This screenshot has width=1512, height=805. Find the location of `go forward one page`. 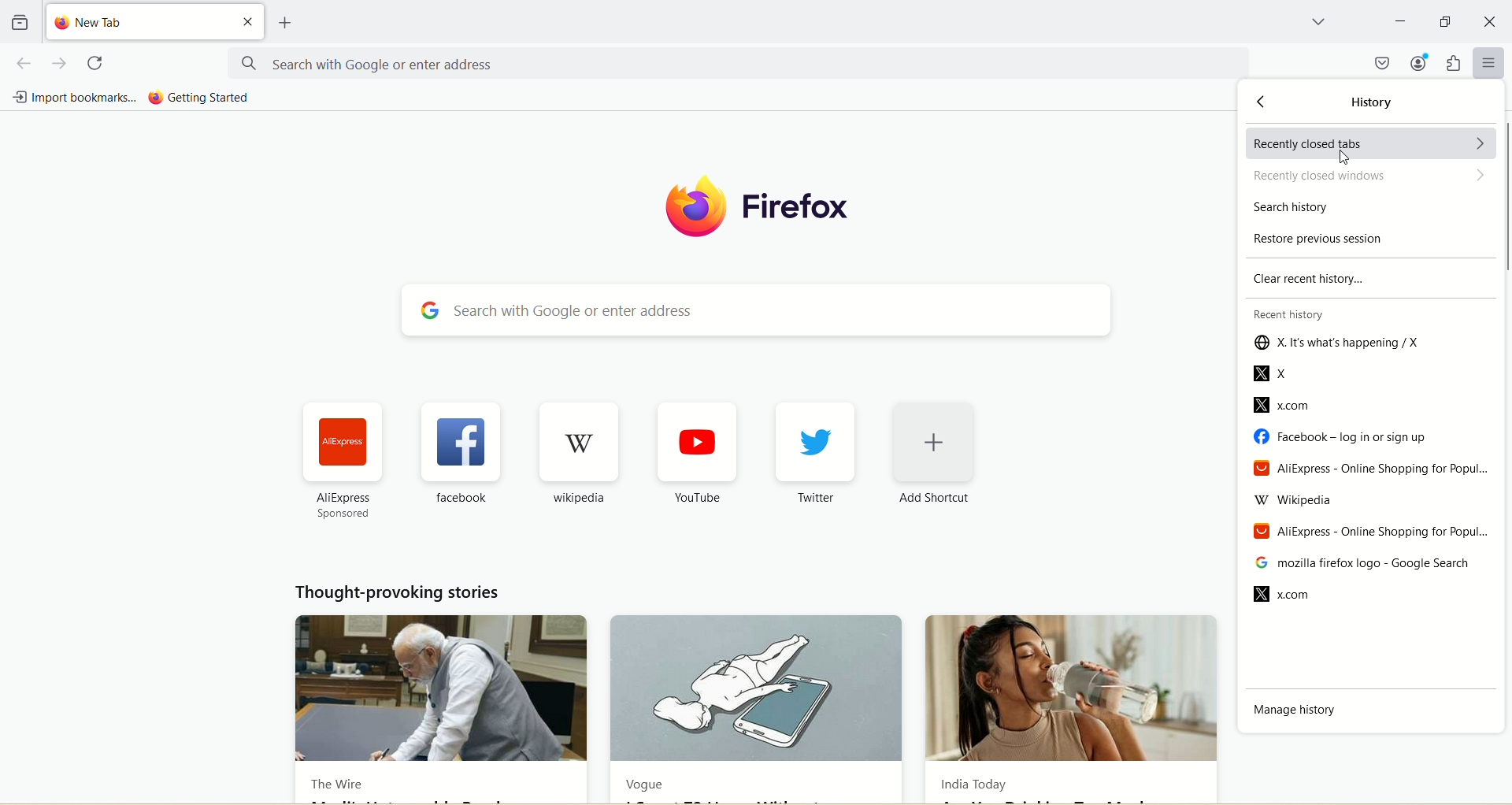

go forward one page is located at coordinates (58, 64).